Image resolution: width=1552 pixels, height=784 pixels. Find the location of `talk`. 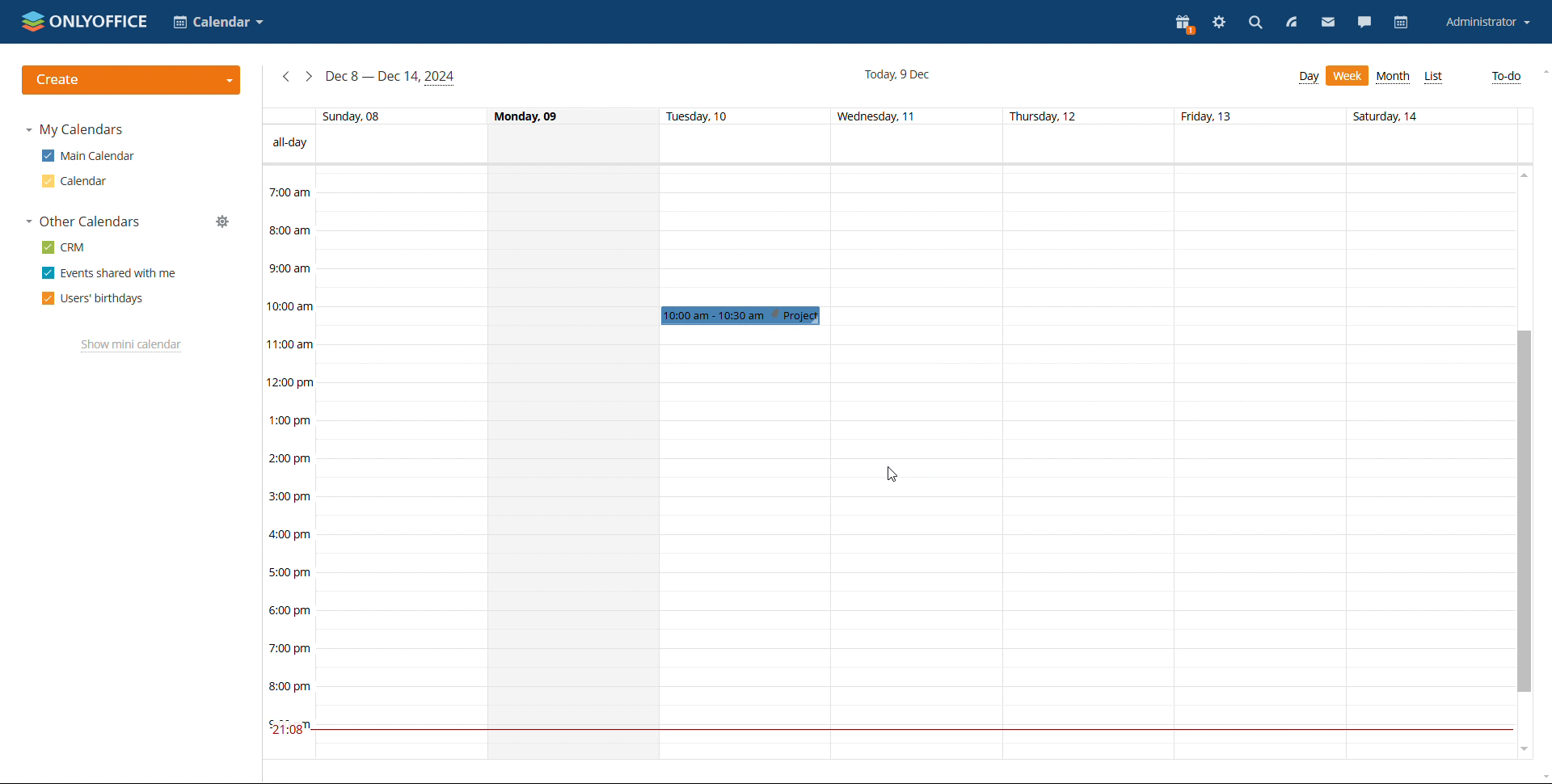

talk is located at coordinates (1363, 23).